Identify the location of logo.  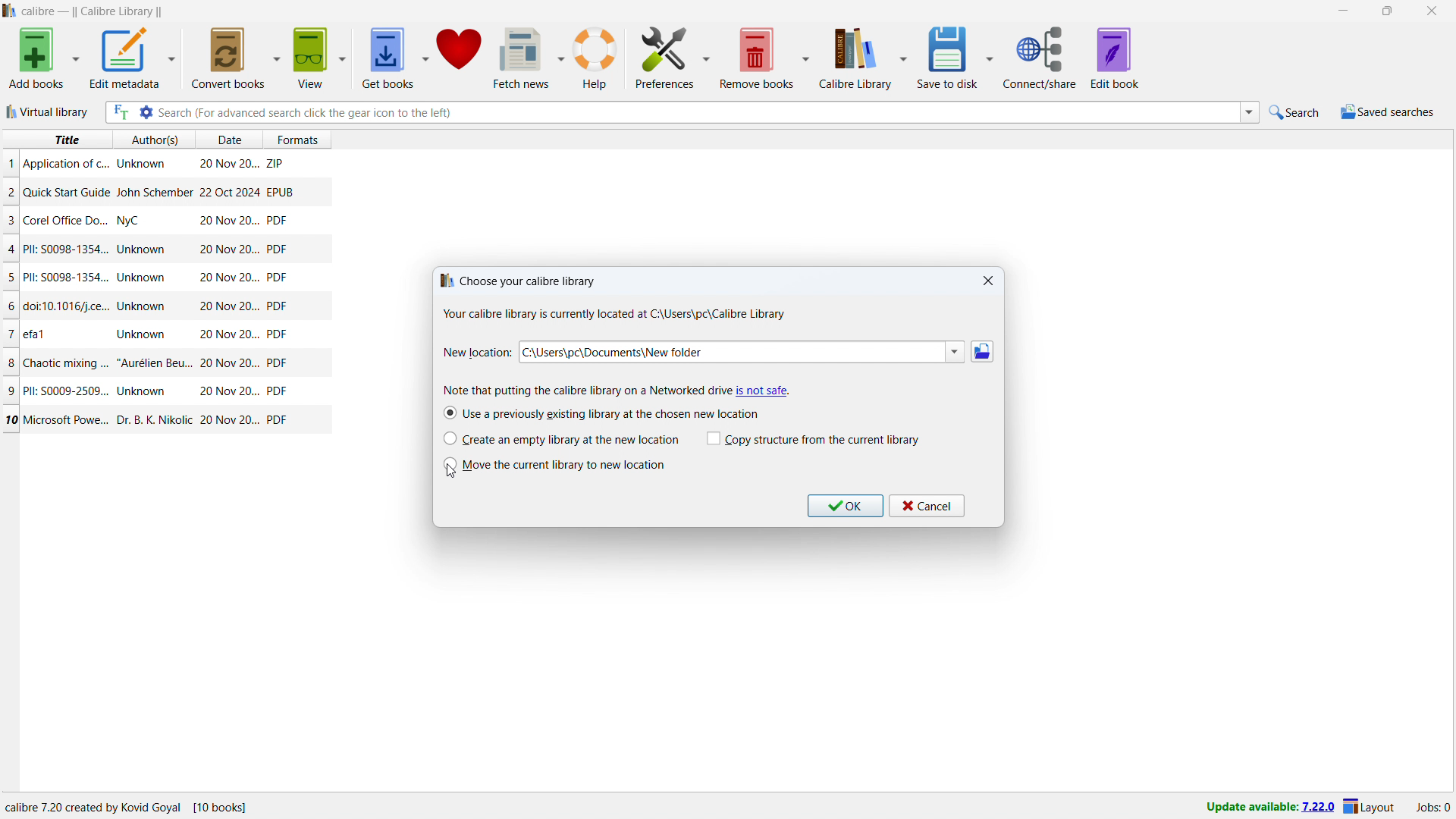
(10, 11).